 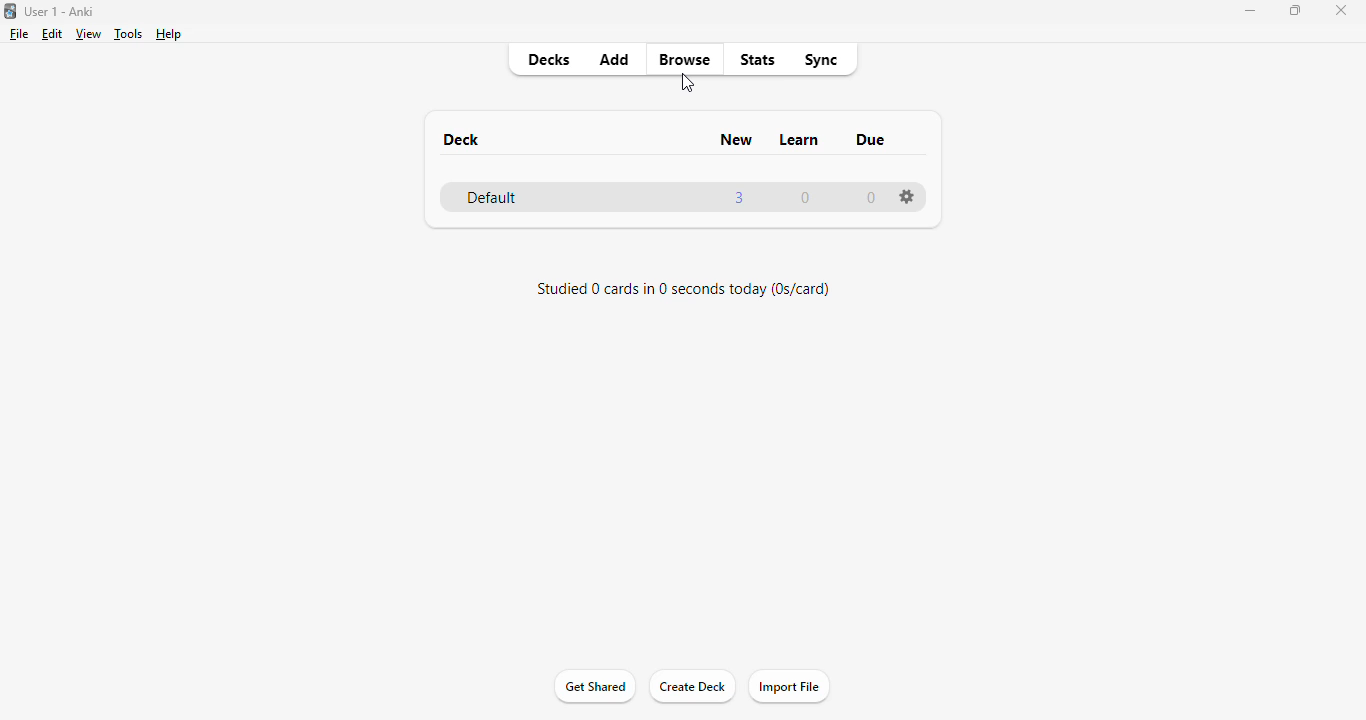 What do you see at coordinates (801, 139) in the screenshot?
I see `learn` at bounding box center [801, 139].